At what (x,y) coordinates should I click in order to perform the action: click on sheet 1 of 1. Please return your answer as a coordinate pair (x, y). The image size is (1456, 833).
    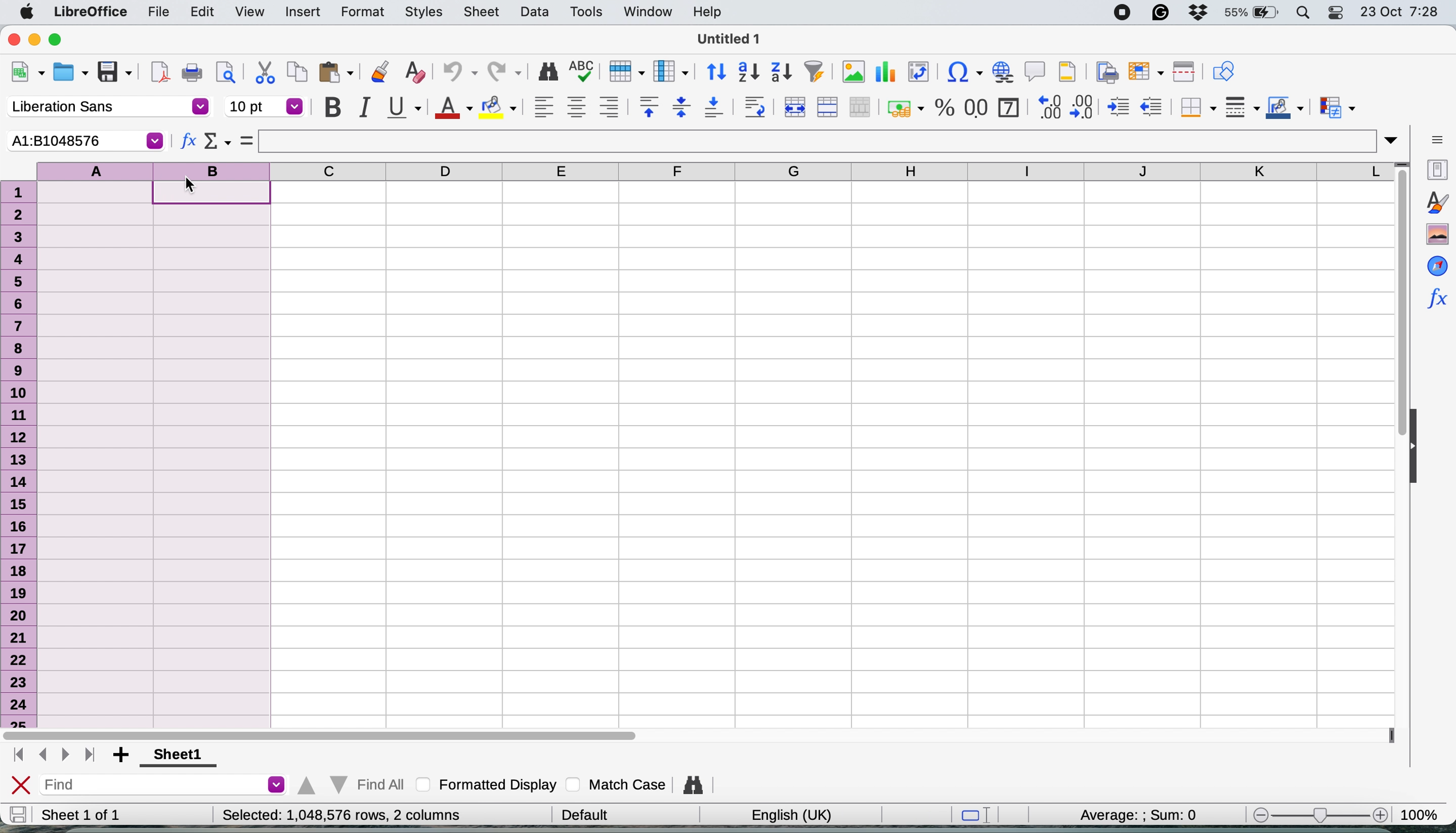
    Looking at the image, I should click on (102, 815).